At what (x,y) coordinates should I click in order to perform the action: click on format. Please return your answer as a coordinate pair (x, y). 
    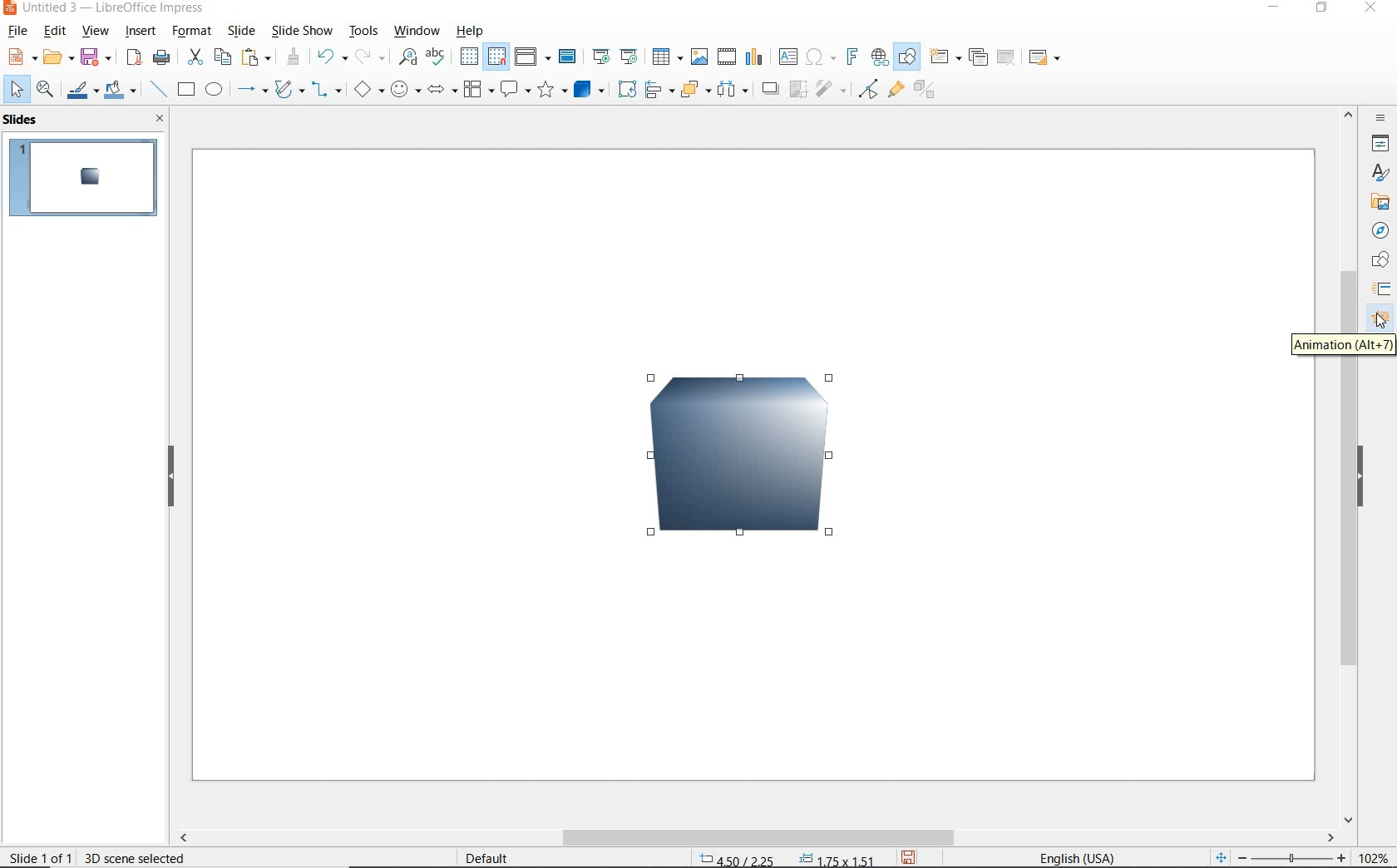
    Looking at the image, I should click on (190, 31).